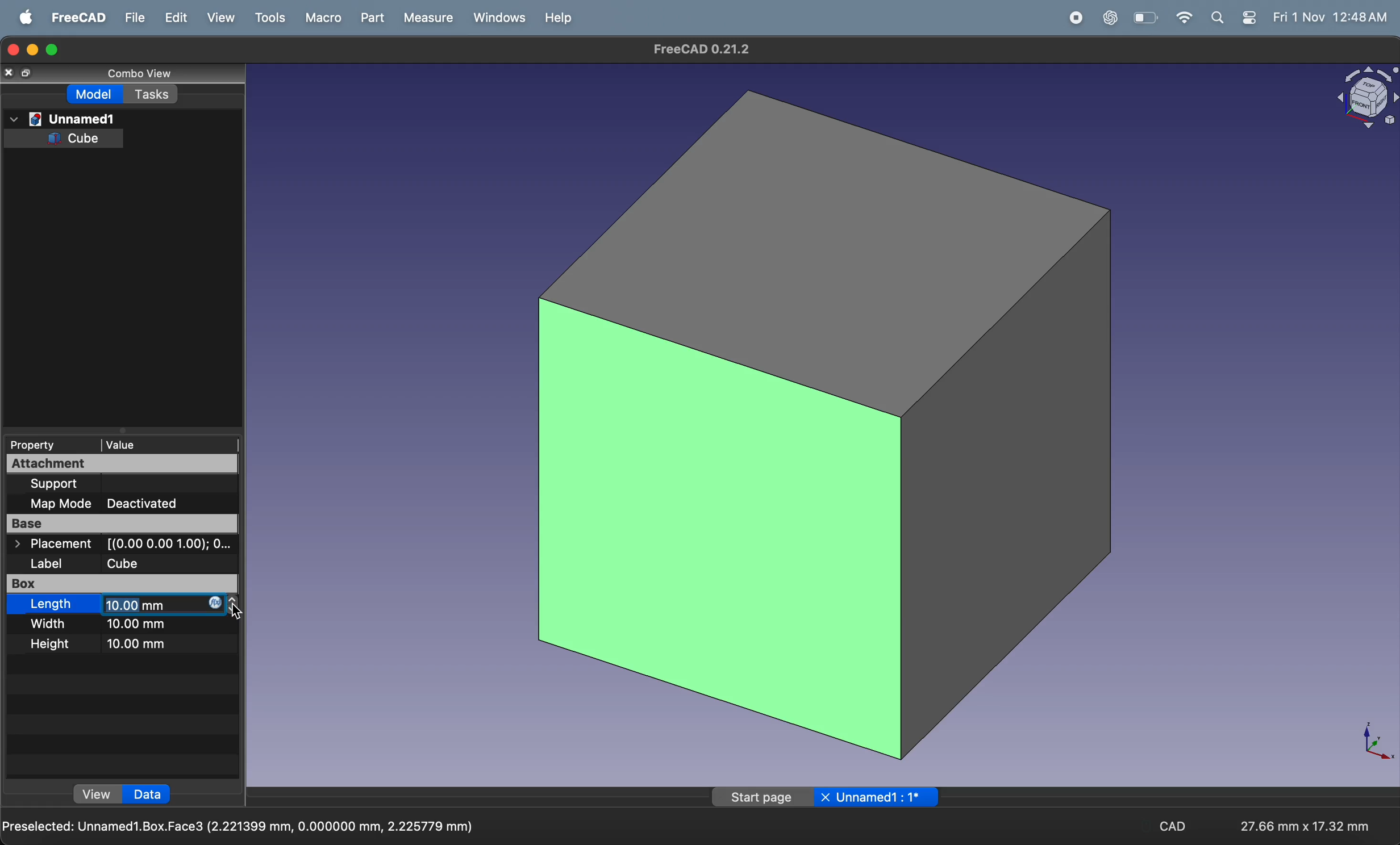  I want to click on view data, so click(97, 795).